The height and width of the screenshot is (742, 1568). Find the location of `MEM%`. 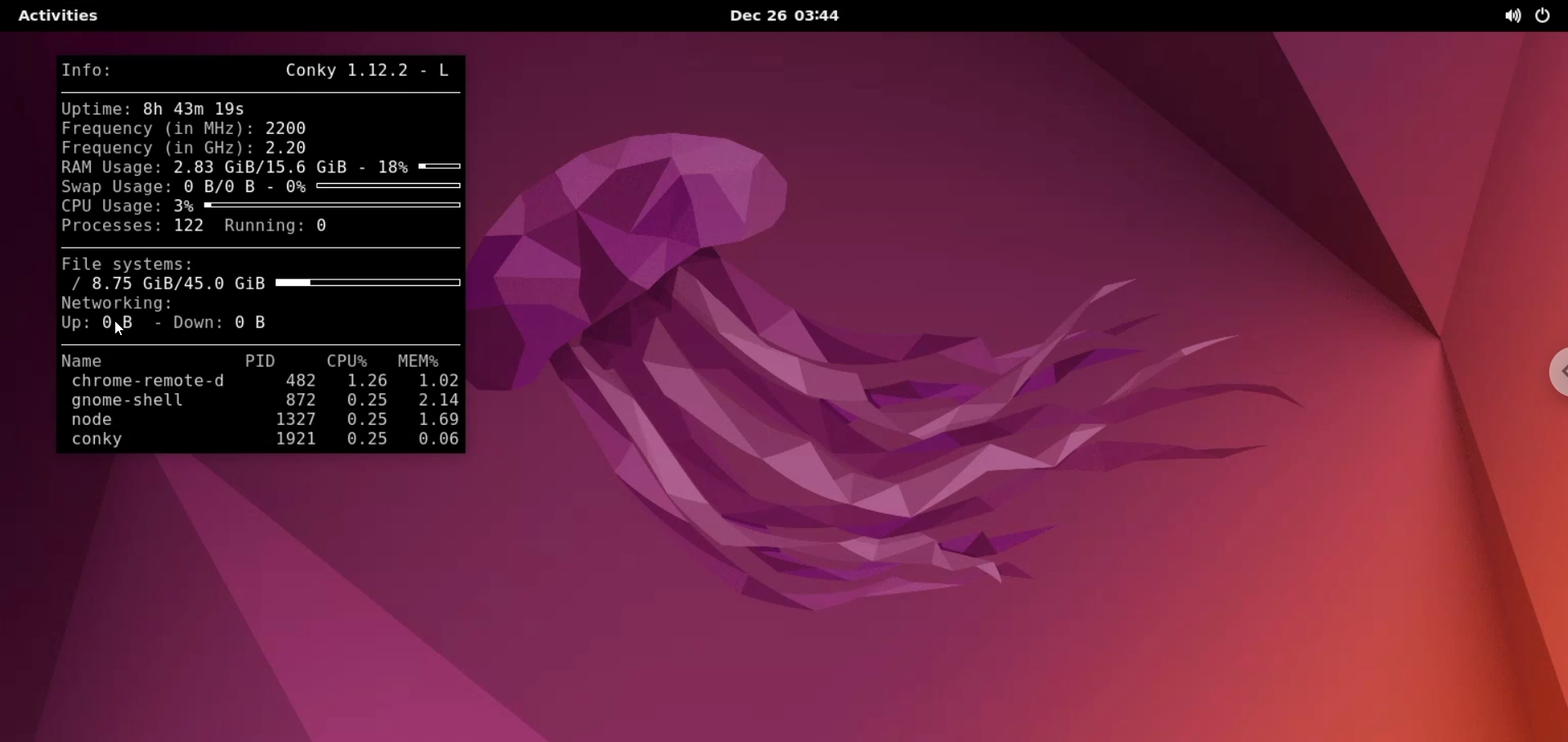

MEM% is located at coordinates (420, 361).